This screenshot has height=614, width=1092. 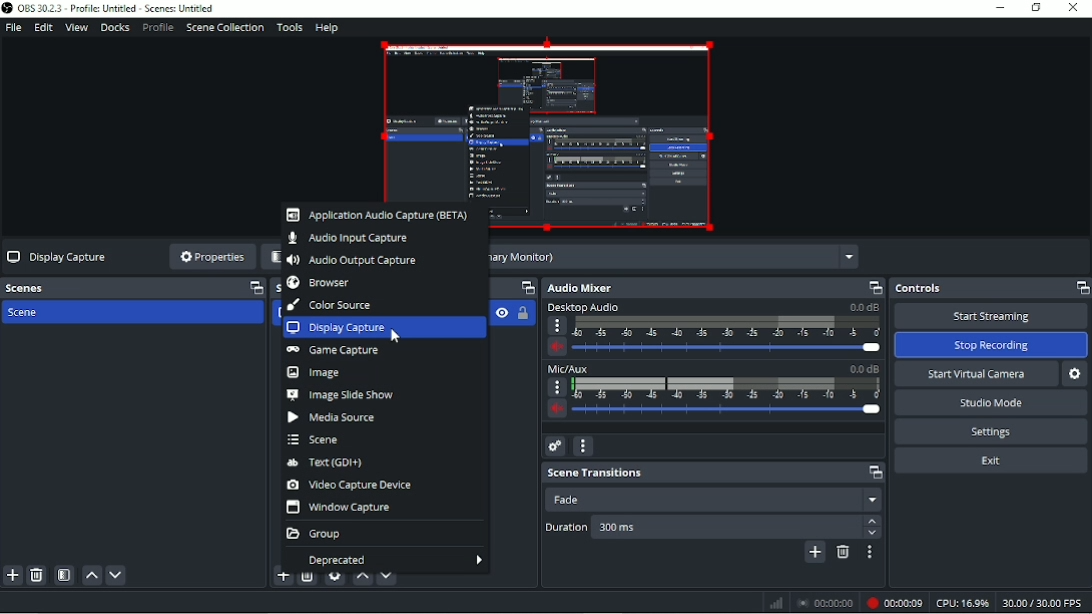 I want to click on Stop recording, so click(x=826, y=602).